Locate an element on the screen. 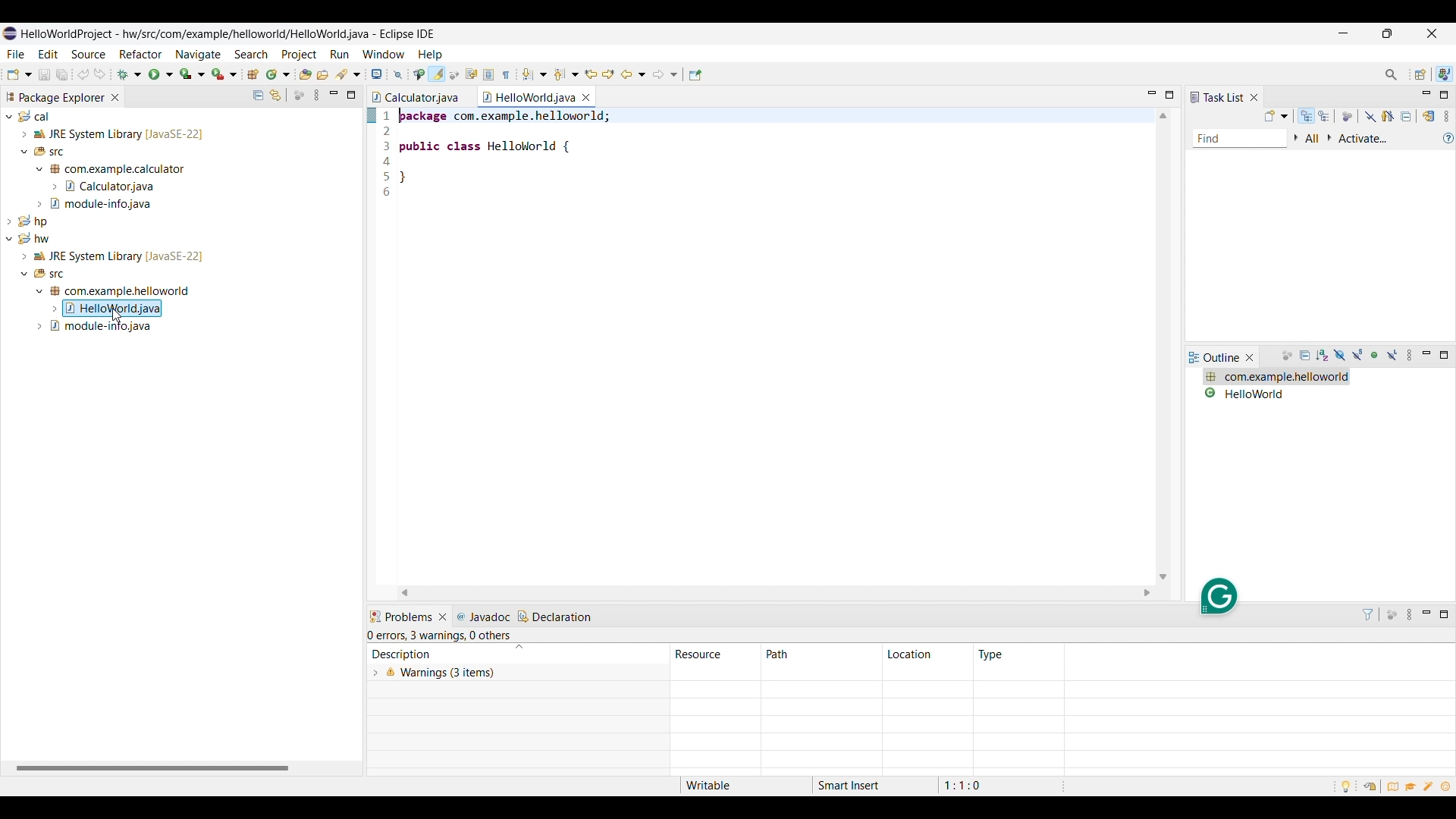 The width and height of the screenshot is (1456, 819). Close is located at coordinates (1254, 97).